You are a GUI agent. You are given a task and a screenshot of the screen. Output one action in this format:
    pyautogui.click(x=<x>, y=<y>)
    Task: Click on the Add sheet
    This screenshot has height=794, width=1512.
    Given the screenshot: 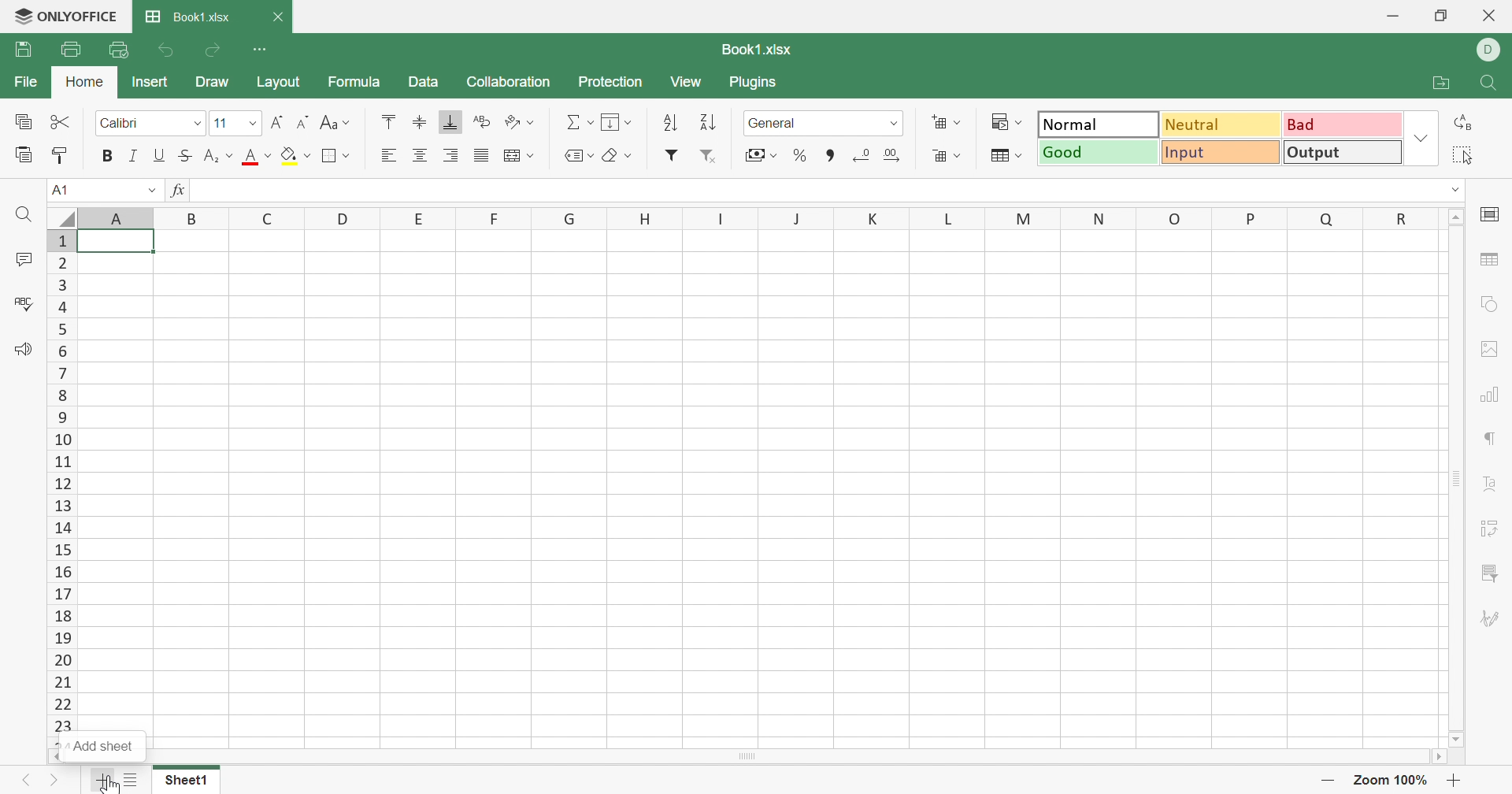 What is the action you would take?
    pyautogui.click(x=108, y=744)
    